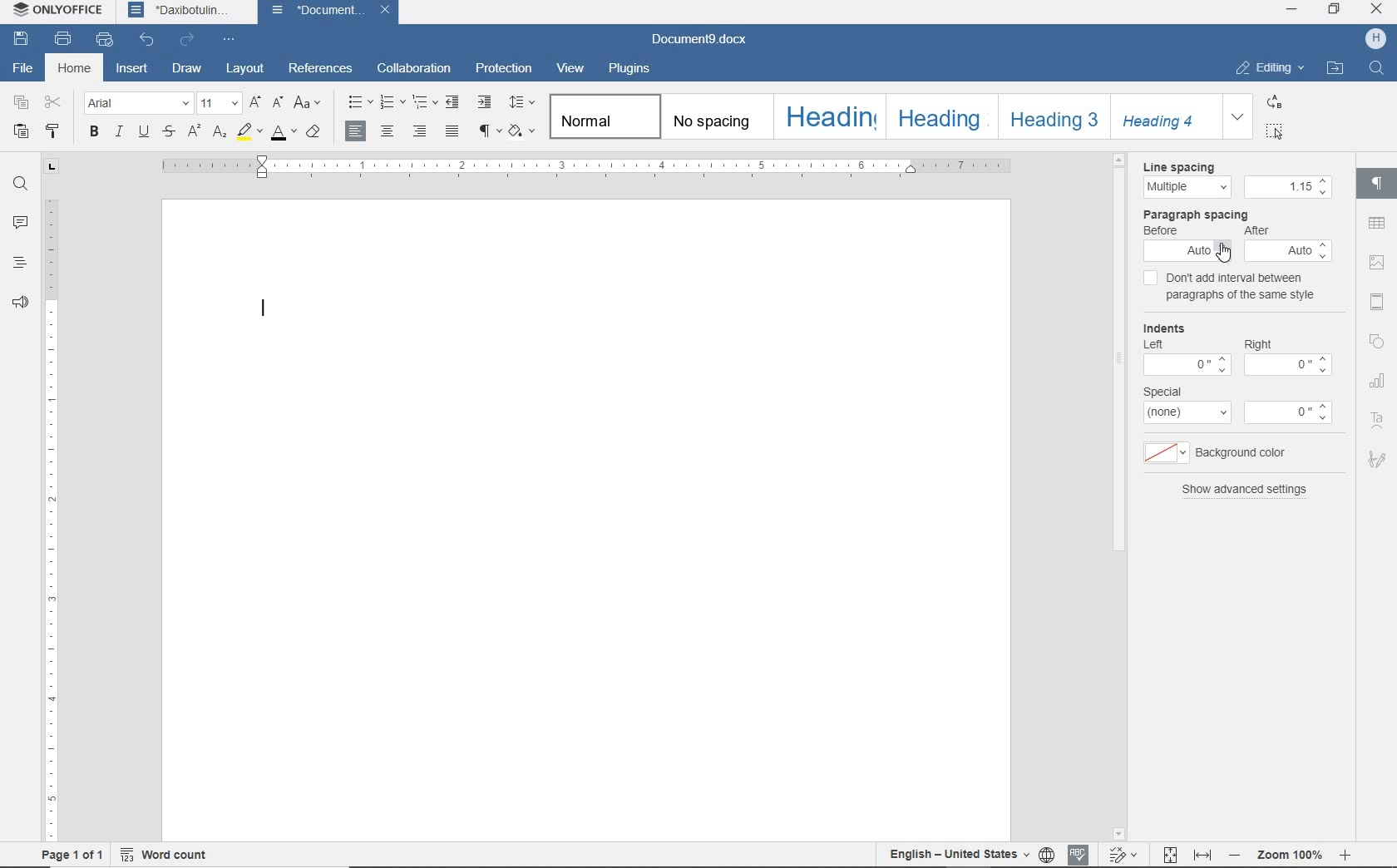 This screenshot has width=1397, height=868. What do you see at coordinates (1234, 855) in the screenshot?
I see `zoom out or zoom in` at bounding box center [1234, 855].